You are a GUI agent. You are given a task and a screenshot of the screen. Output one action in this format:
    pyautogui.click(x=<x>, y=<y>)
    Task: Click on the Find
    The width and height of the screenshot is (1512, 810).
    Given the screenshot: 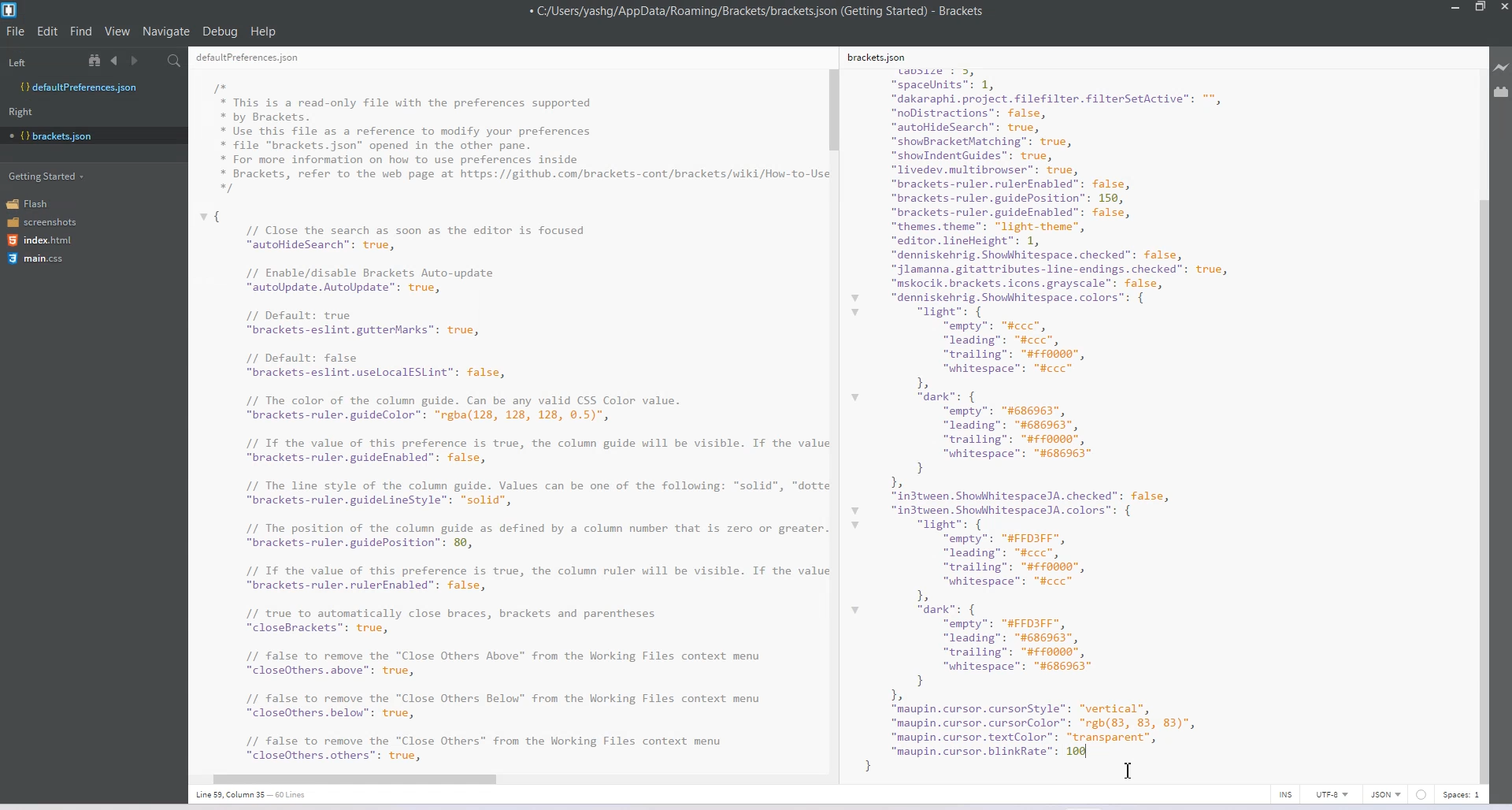 What is the action you would take?
    pyautogui.click(x=82, y=31)
    